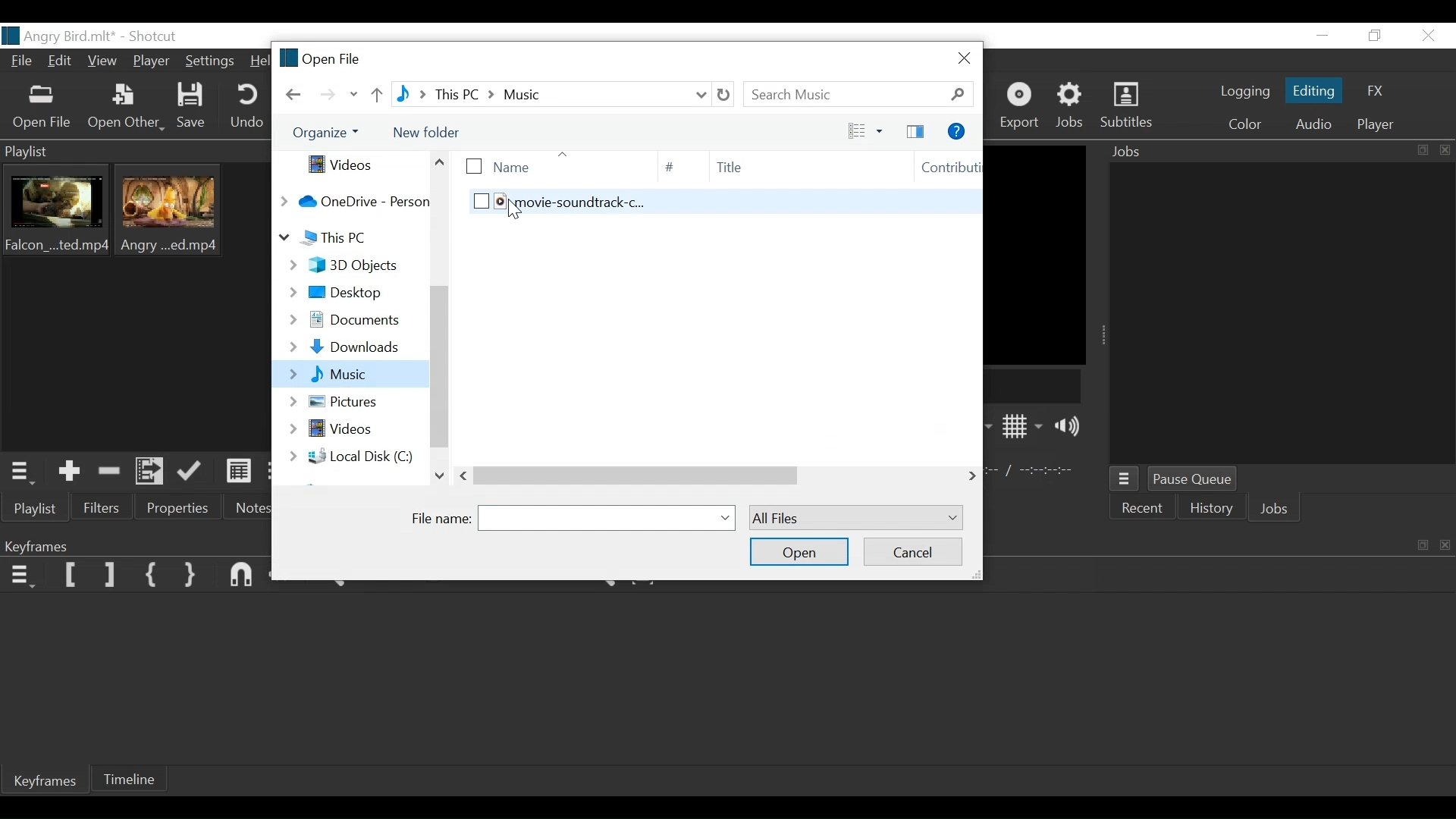 The image size is (1456, 819). I want to click on Scroll Down, so click(439, 474).